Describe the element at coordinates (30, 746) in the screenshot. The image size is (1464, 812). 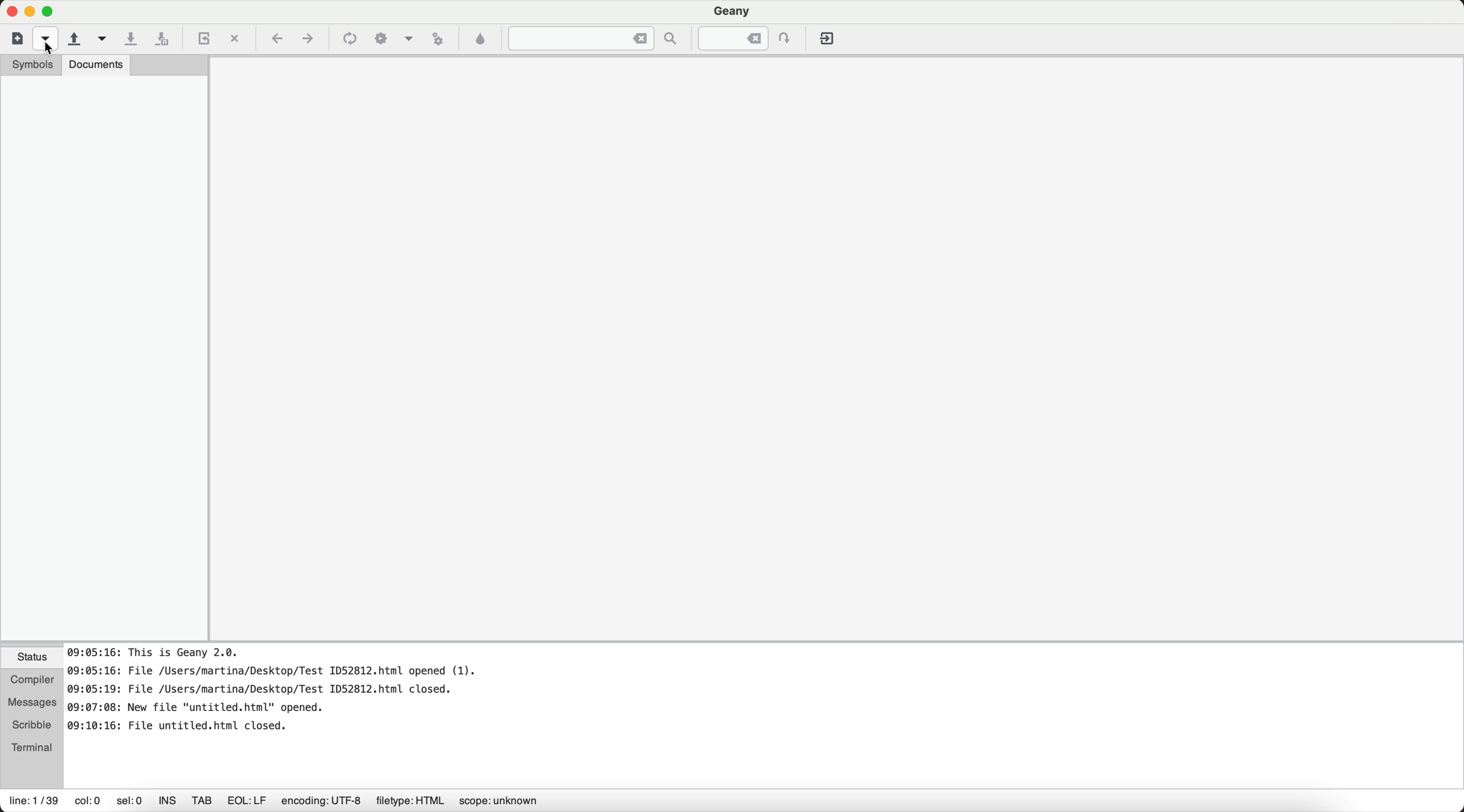
I see `terminal` at that location.